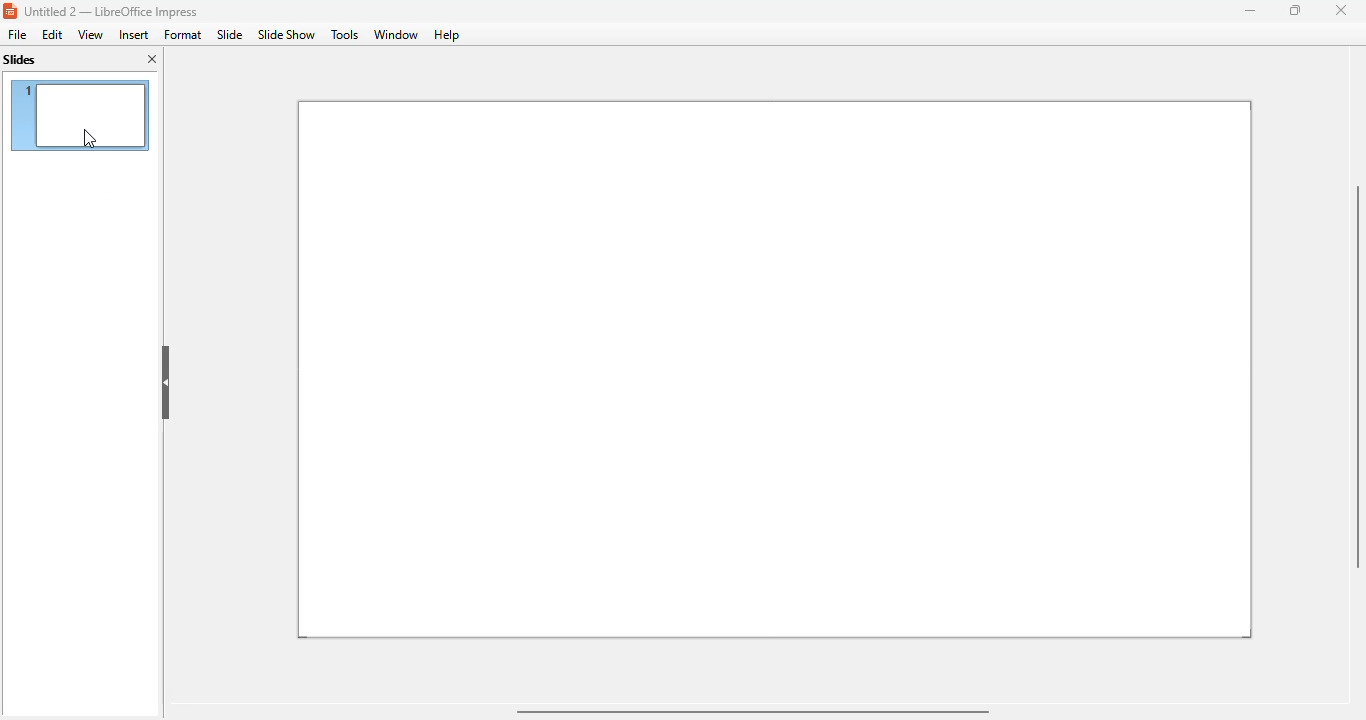 Image resolution: width=1366 pixels, height=720 pixels. What do you see at coordinates (447, 35) in the screenshot?
I see `help` at bounding box center [447, 35].